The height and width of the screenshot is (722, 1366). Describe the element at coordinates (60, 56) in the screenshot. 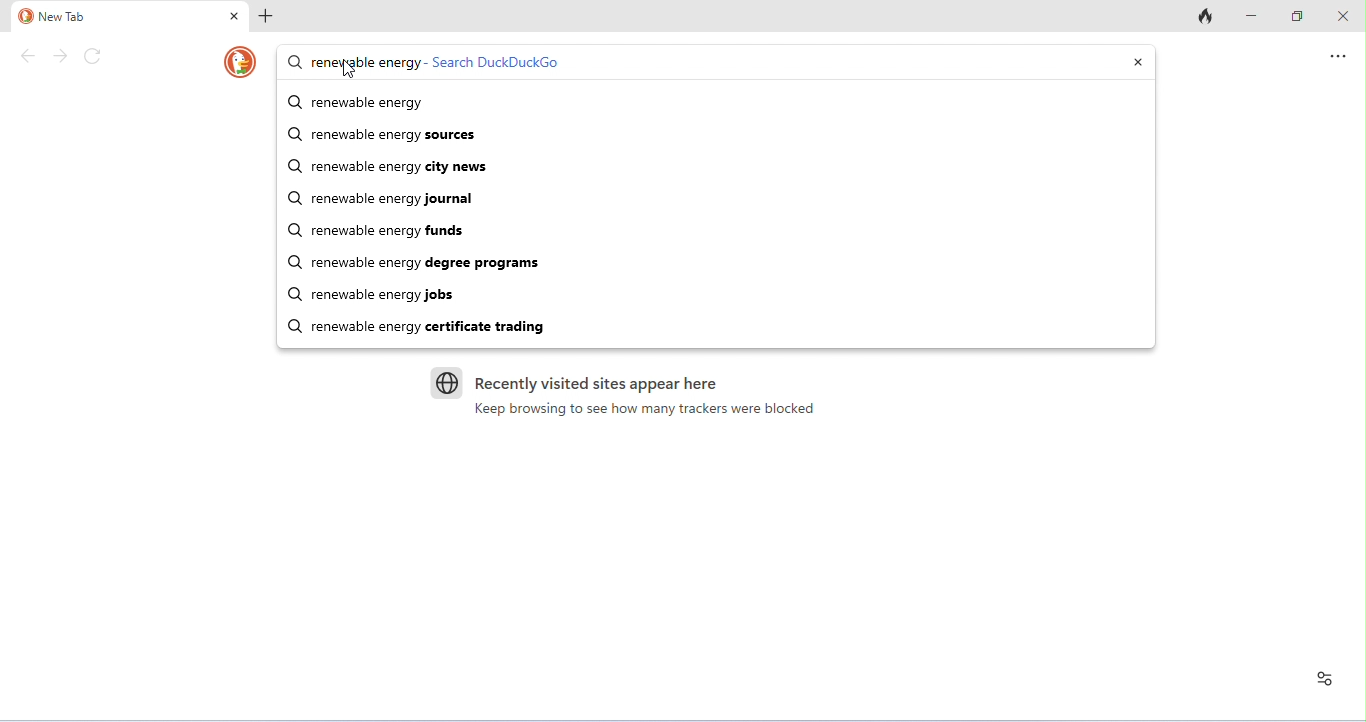

I see `forward` at that location.